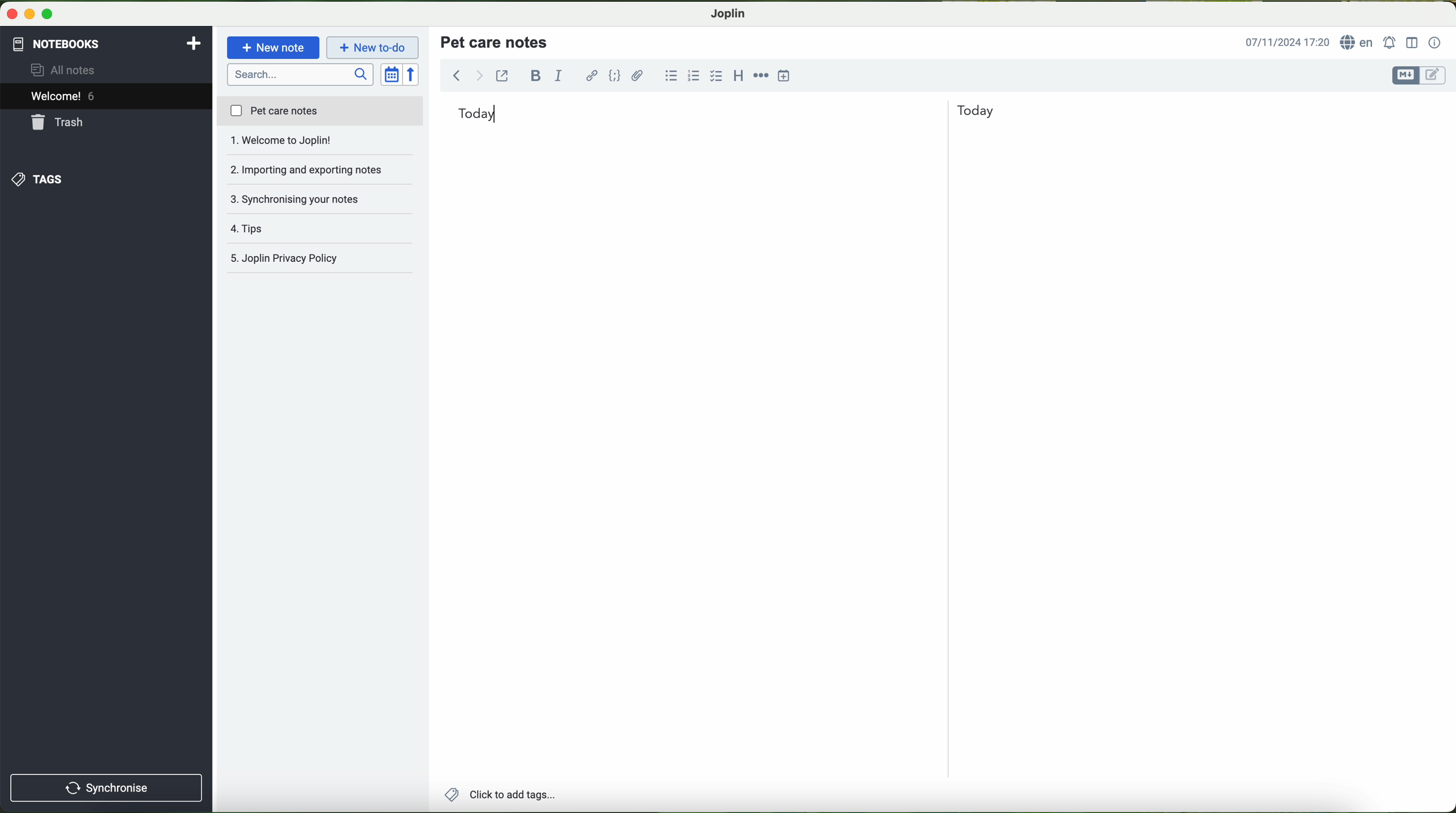  What do you see at coordinates (614, 75) in the screenshot?
I see `code` at bounding box center [614, 75].